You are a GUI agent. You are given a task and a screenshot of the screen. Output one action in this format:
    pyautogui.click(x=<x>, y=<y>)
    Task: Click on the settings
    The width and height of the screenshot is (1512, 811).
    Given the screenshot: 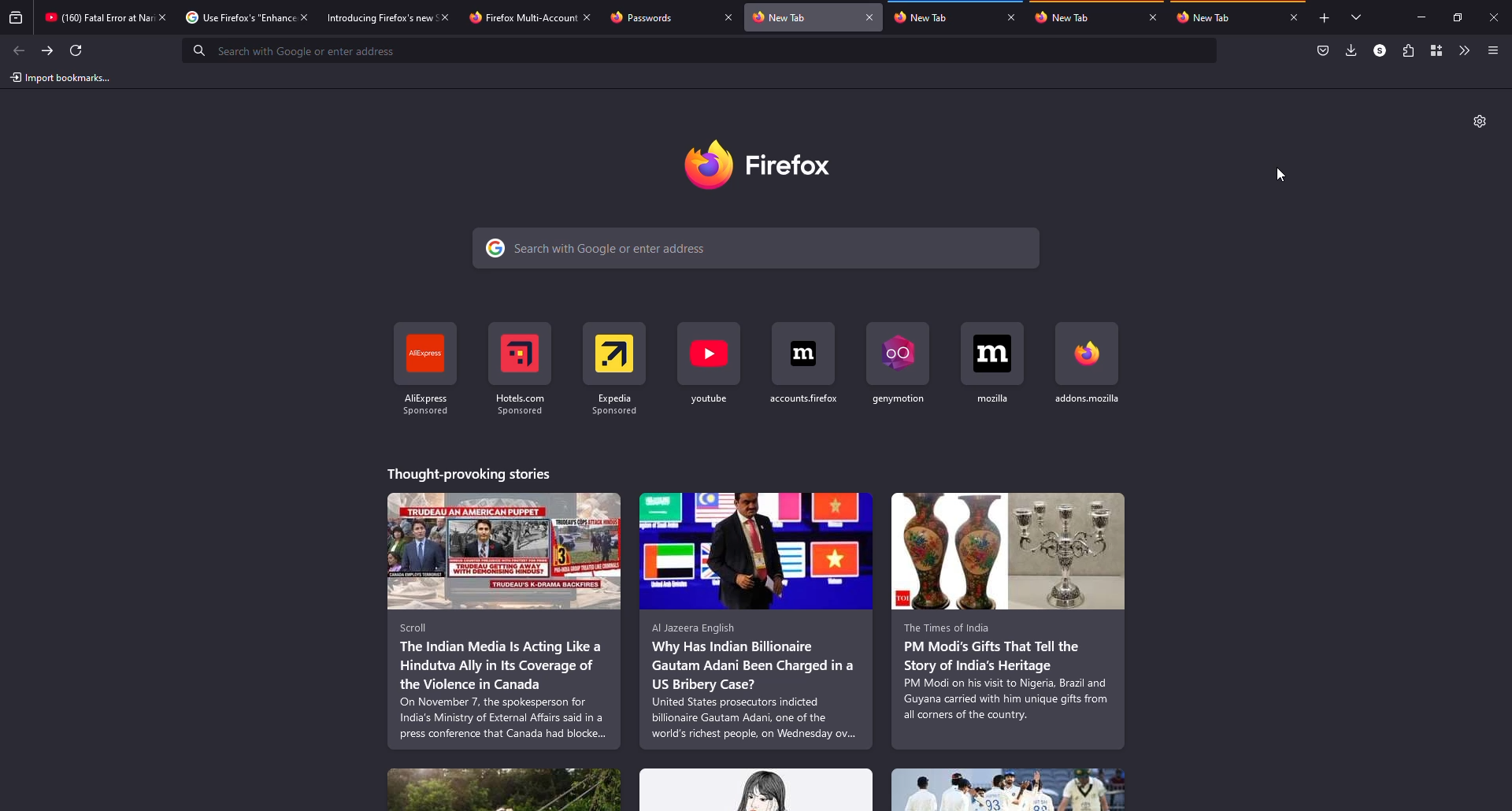 What is the action you would take?
    pyautogui.click(x=1478, y=121)
    